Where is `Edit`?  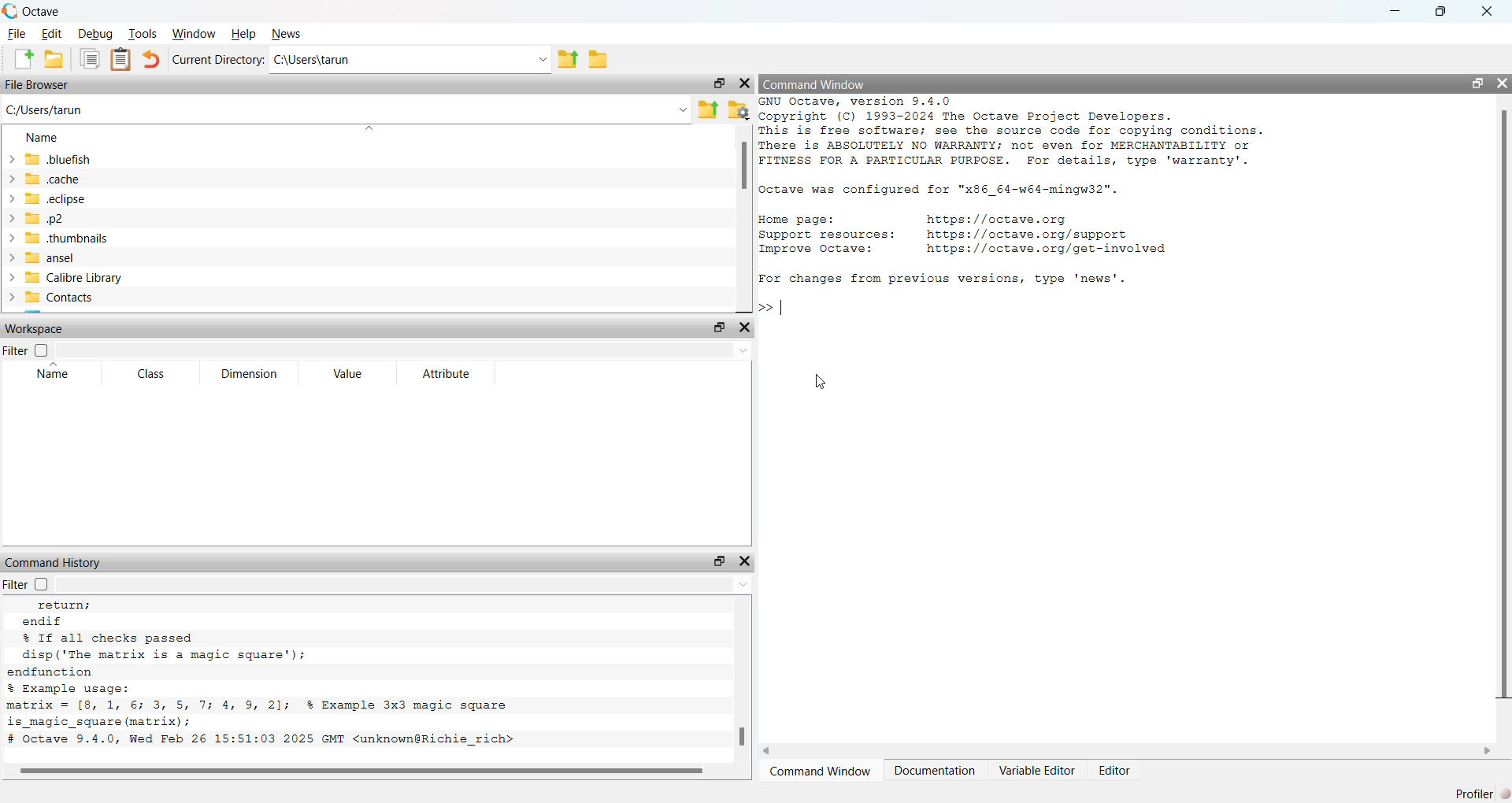 Edit is located at coordinates (54, 35).